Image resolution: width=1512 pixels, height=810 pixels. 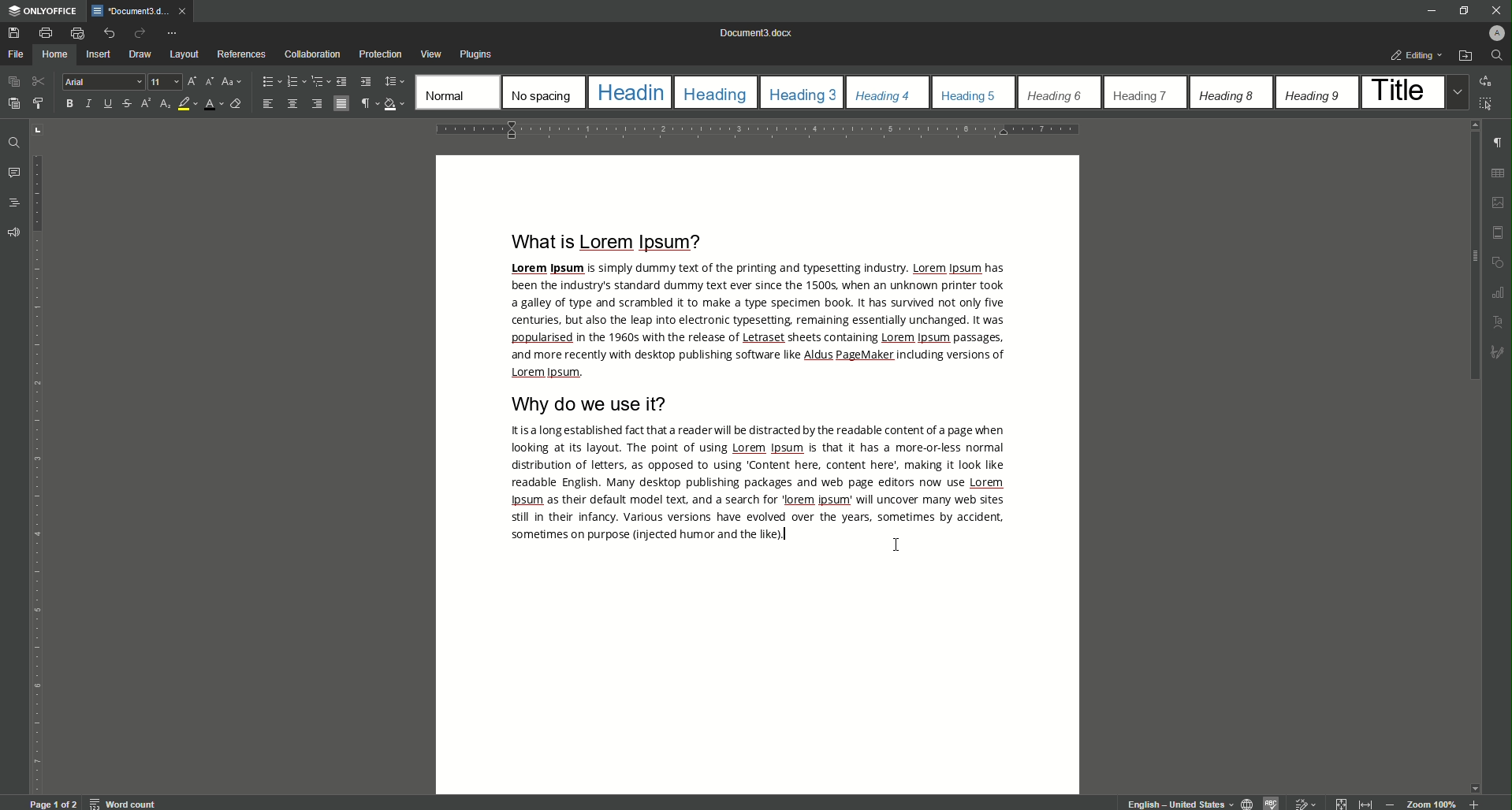 What do you see at coordinates (103, 82) in the screenshot?
I see `Arial` at bounding box center [103, 82].